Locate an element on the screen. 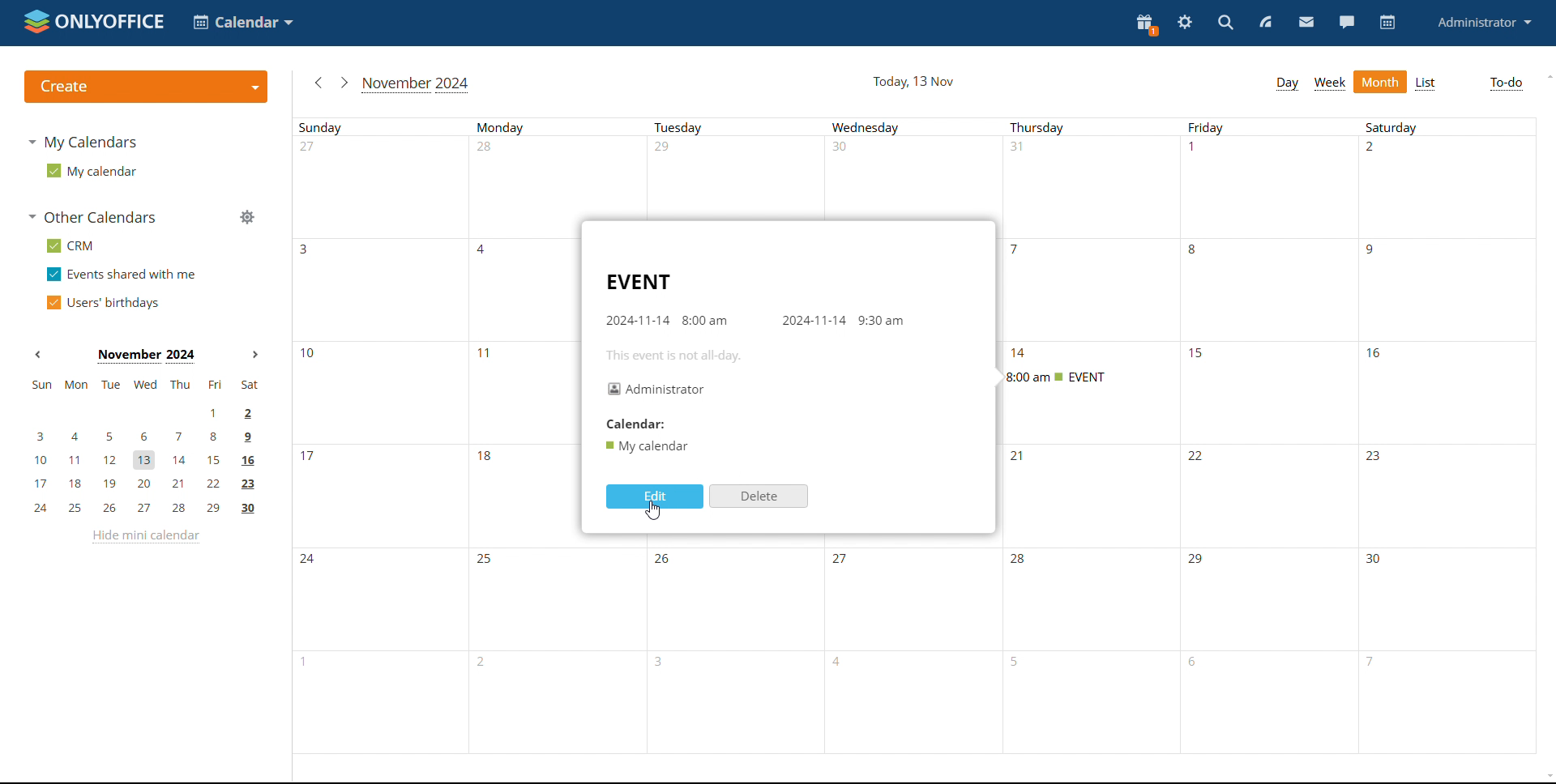 The height and width of the screenshot is (784, 1556). end date is located at coordinates (814, 319).